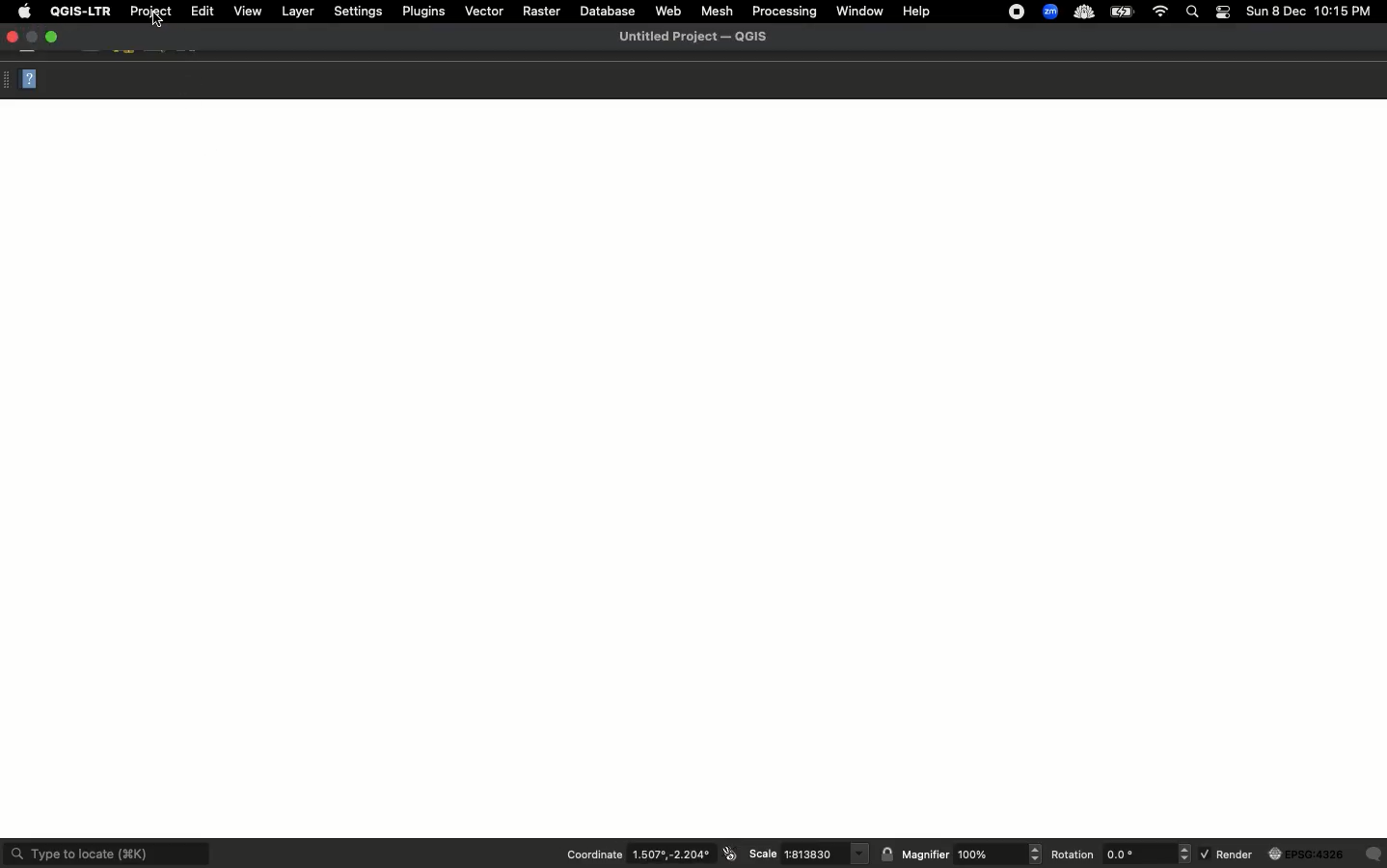 This screenshot has height=868, width=1387. Describe the element at coordinates (784, 10) in the screenshot. I see `Processing` at that location.